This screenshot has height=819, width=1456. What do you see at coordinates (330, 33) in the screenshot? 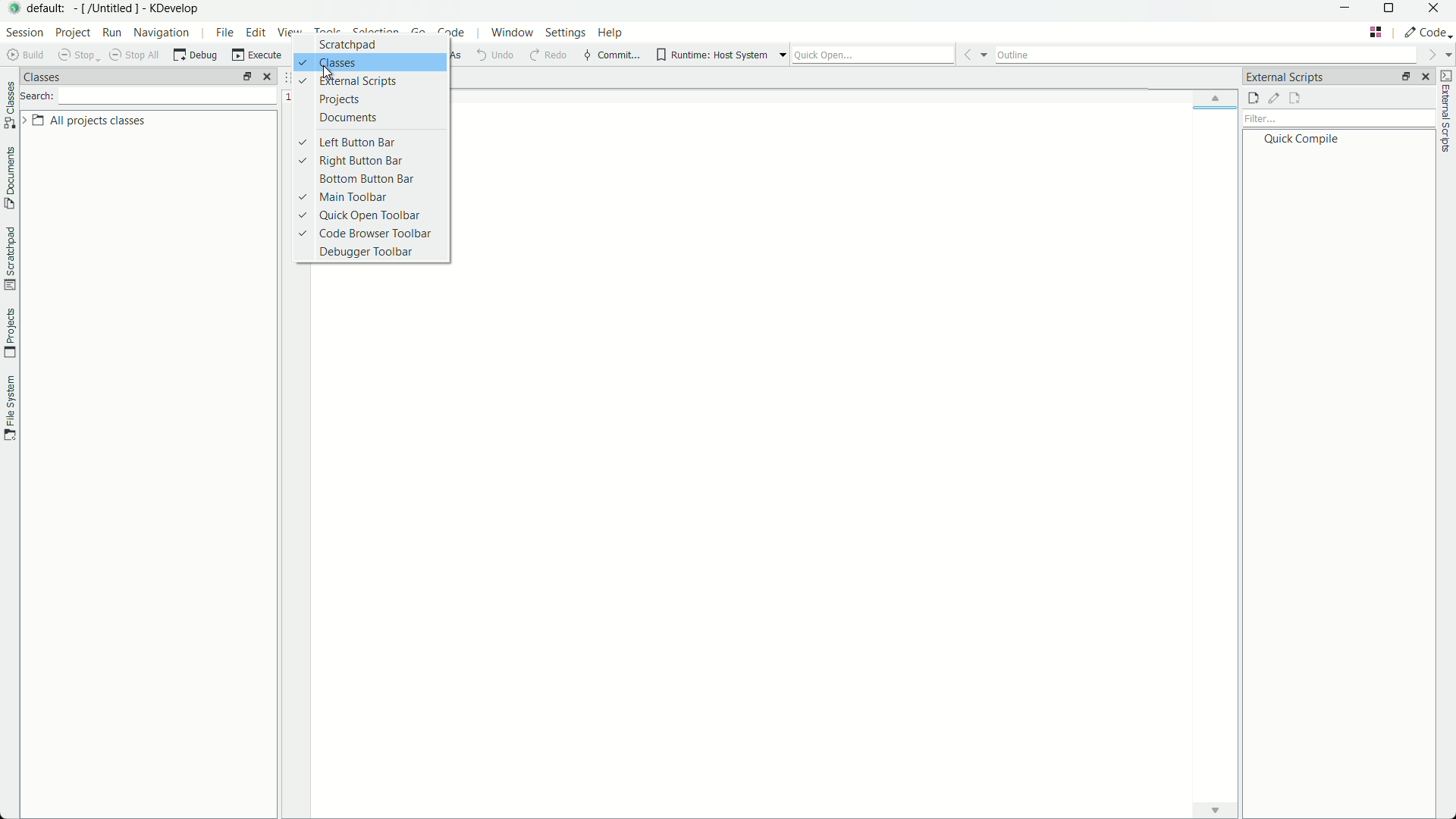
I see `tools menu` at bounding box center [330, 33].